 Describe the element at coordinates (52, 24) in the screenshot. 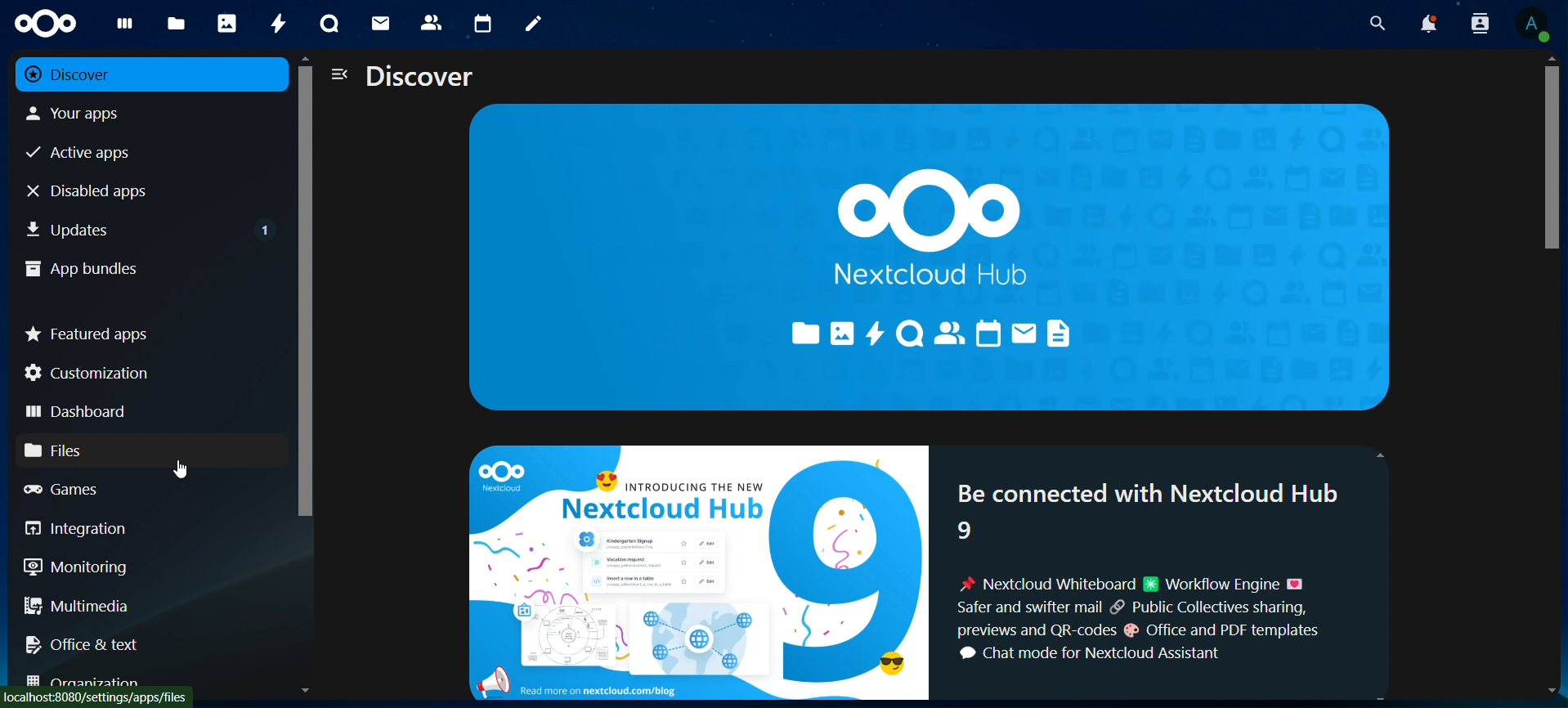

I see `icon` at that location.